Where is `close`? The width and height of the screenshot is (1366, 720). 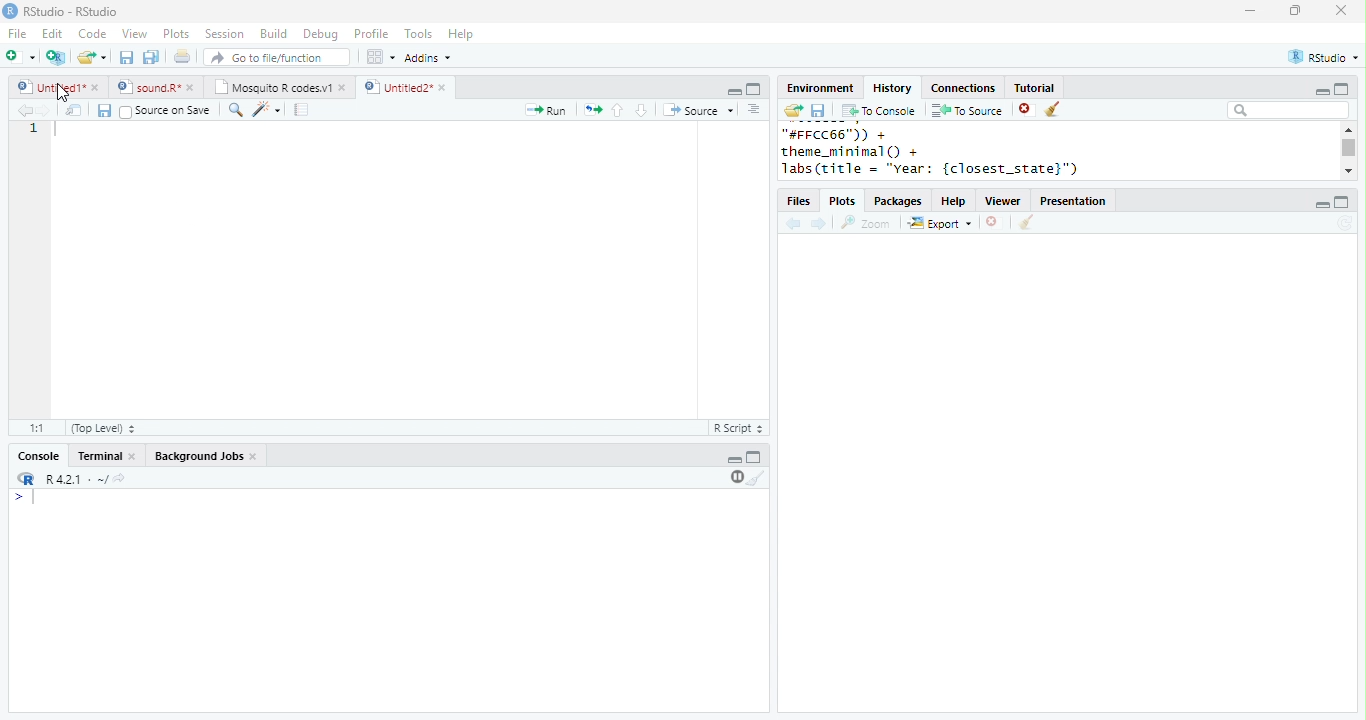
close is located at coordinates (443, 87).